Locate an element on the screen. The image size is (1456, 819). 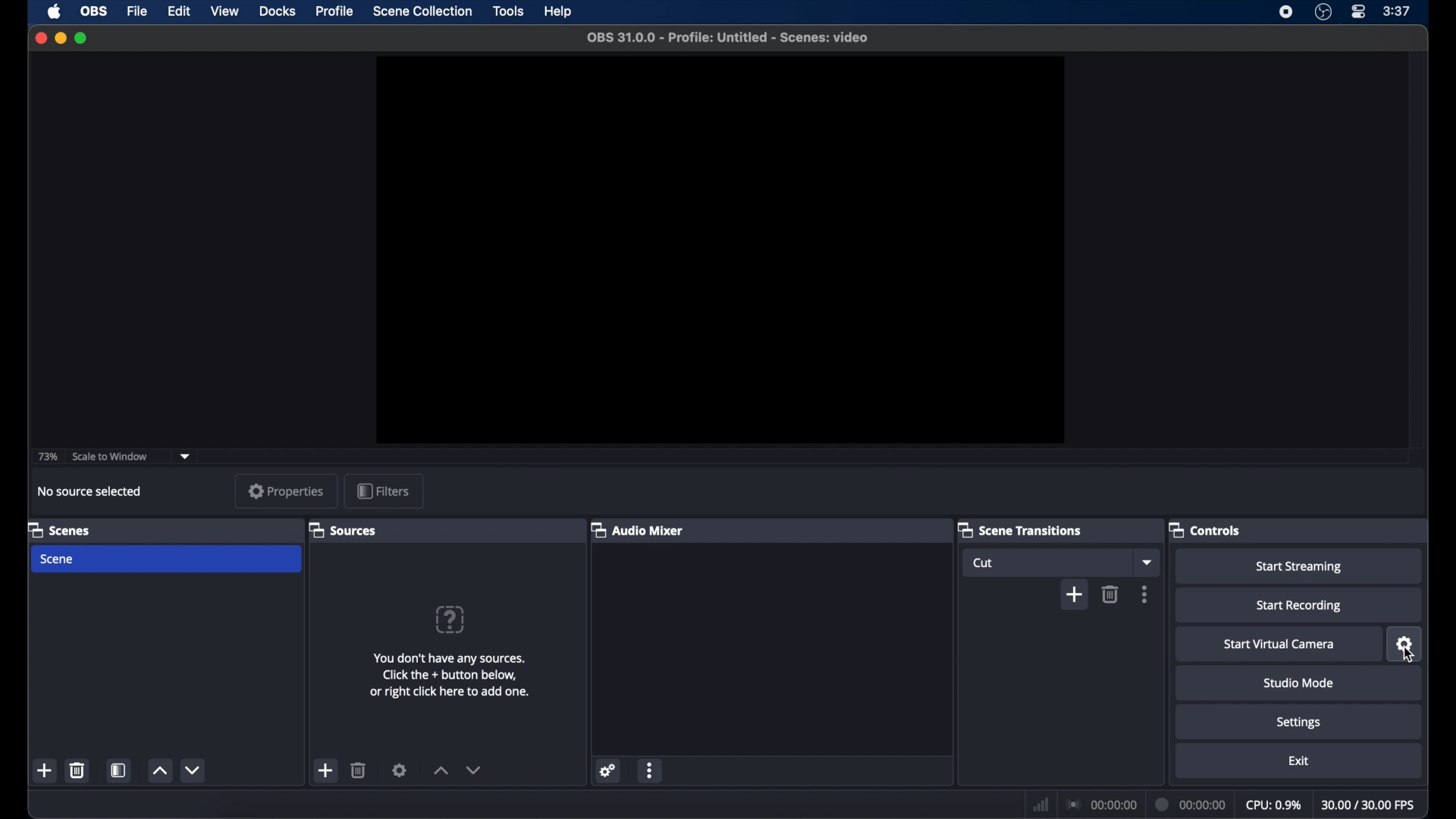
screen recording is located at coordinates (1286, 12).